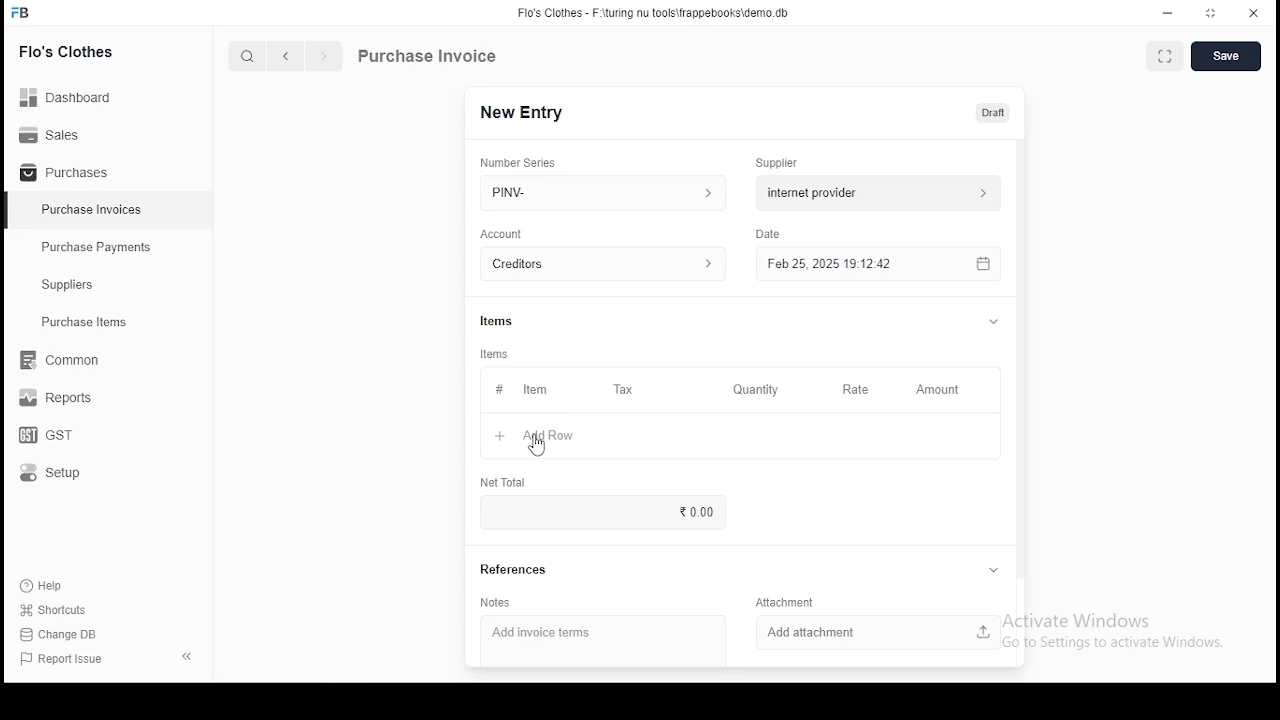 This screenshot has width=1280, height=720. I want to click on report issue, so click(64, 660).